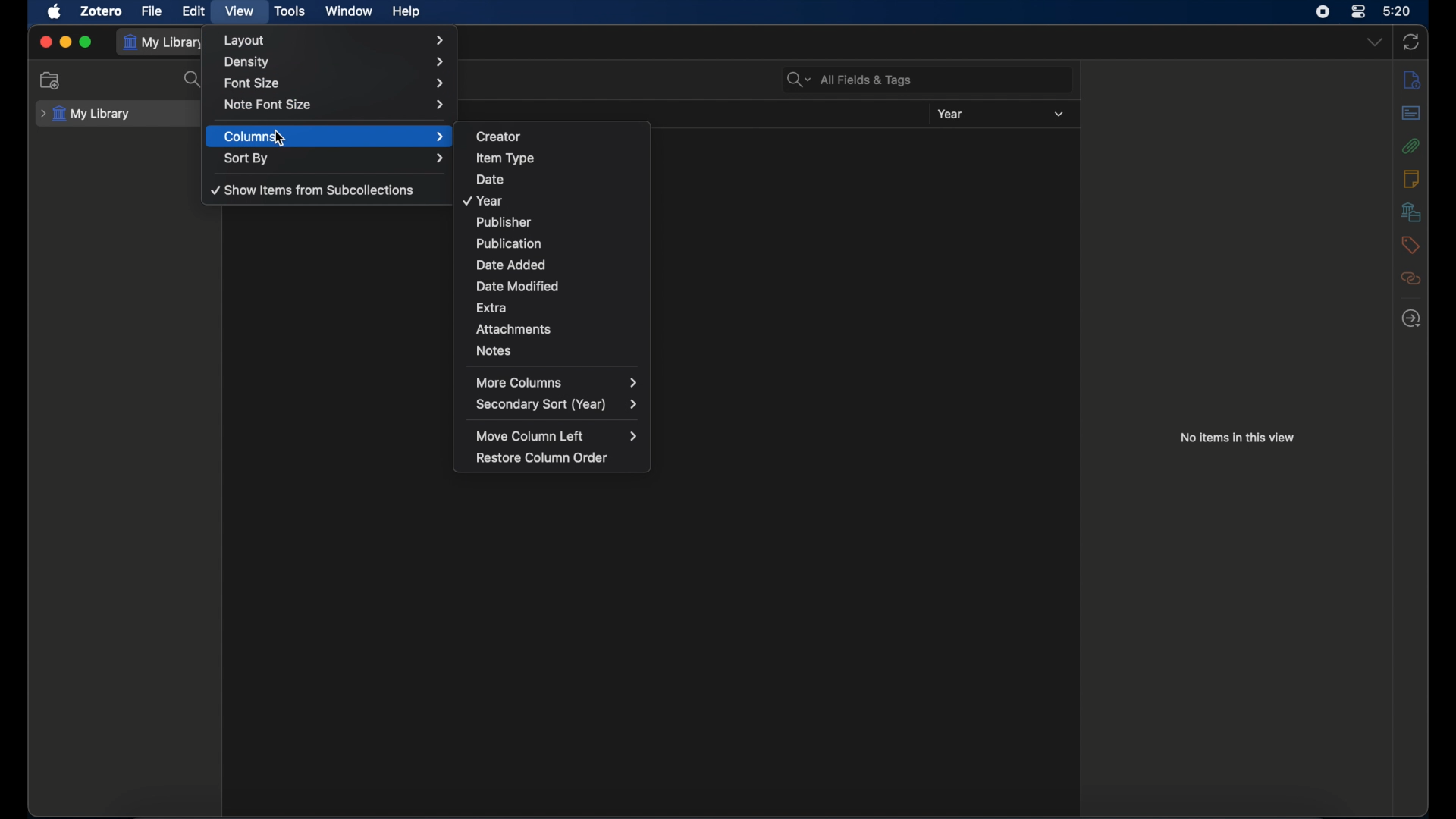 The image size is (1456, 819). Describe the element at coordinates (555, 435) in the screenshot. I see `move column left` at that location.